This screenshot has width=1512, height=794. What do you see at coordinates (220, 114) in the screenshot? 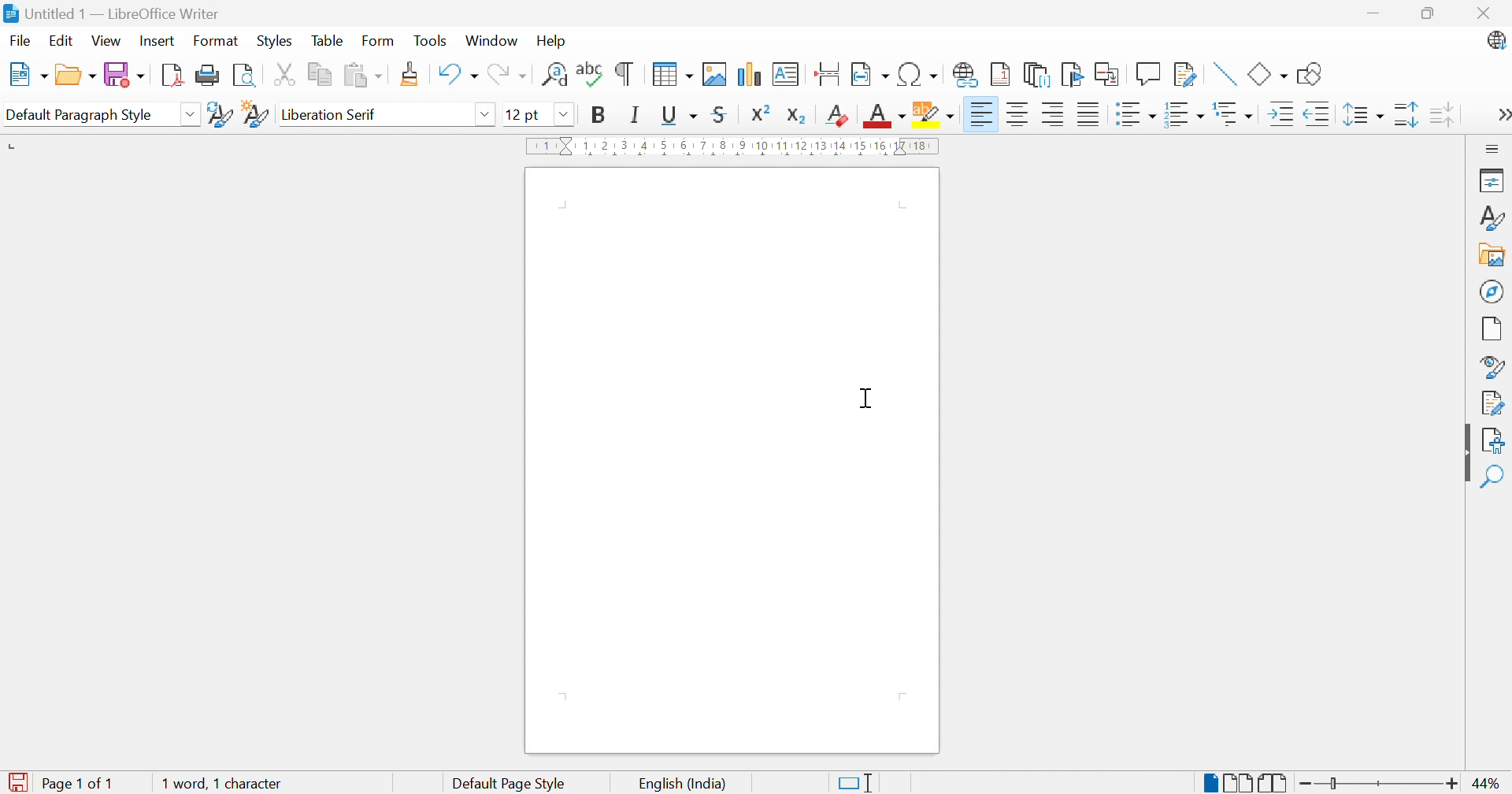
I see `Update selected style` at bounding box center [220, 114].